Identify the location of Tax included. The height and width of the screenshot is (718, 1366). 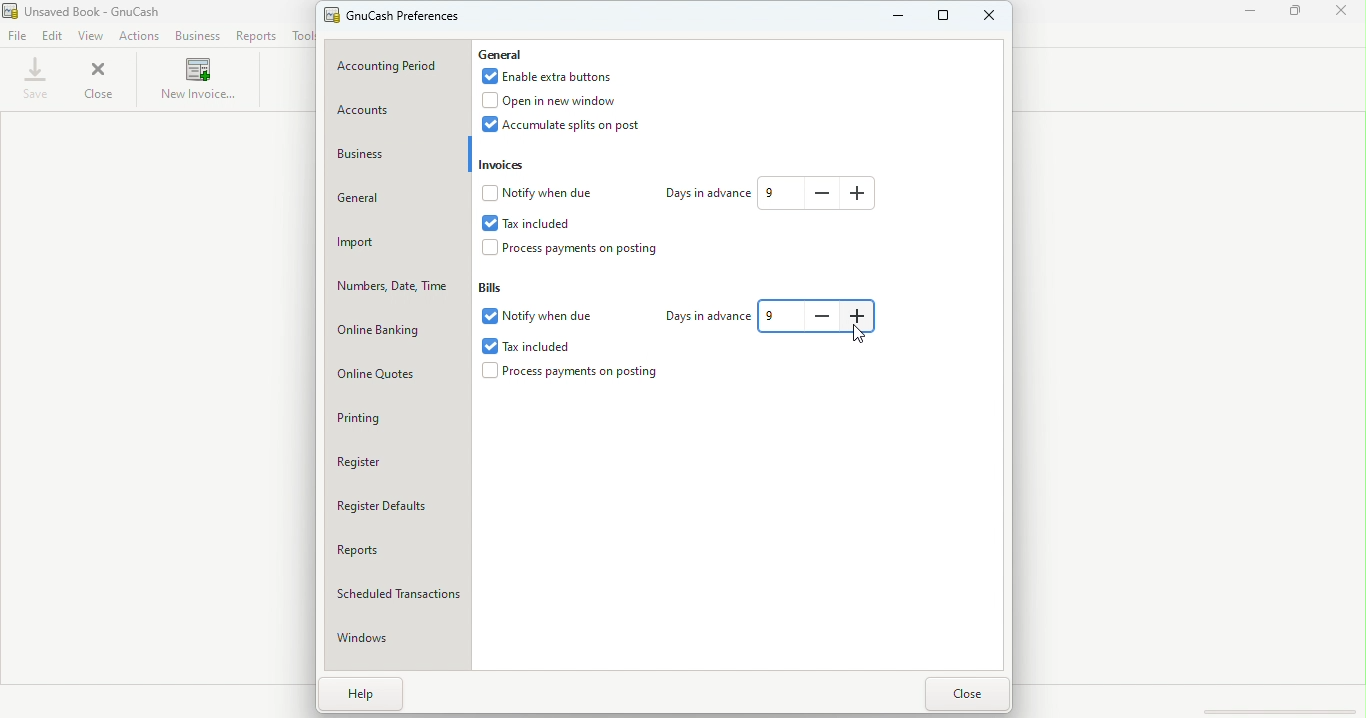
(545, 222).